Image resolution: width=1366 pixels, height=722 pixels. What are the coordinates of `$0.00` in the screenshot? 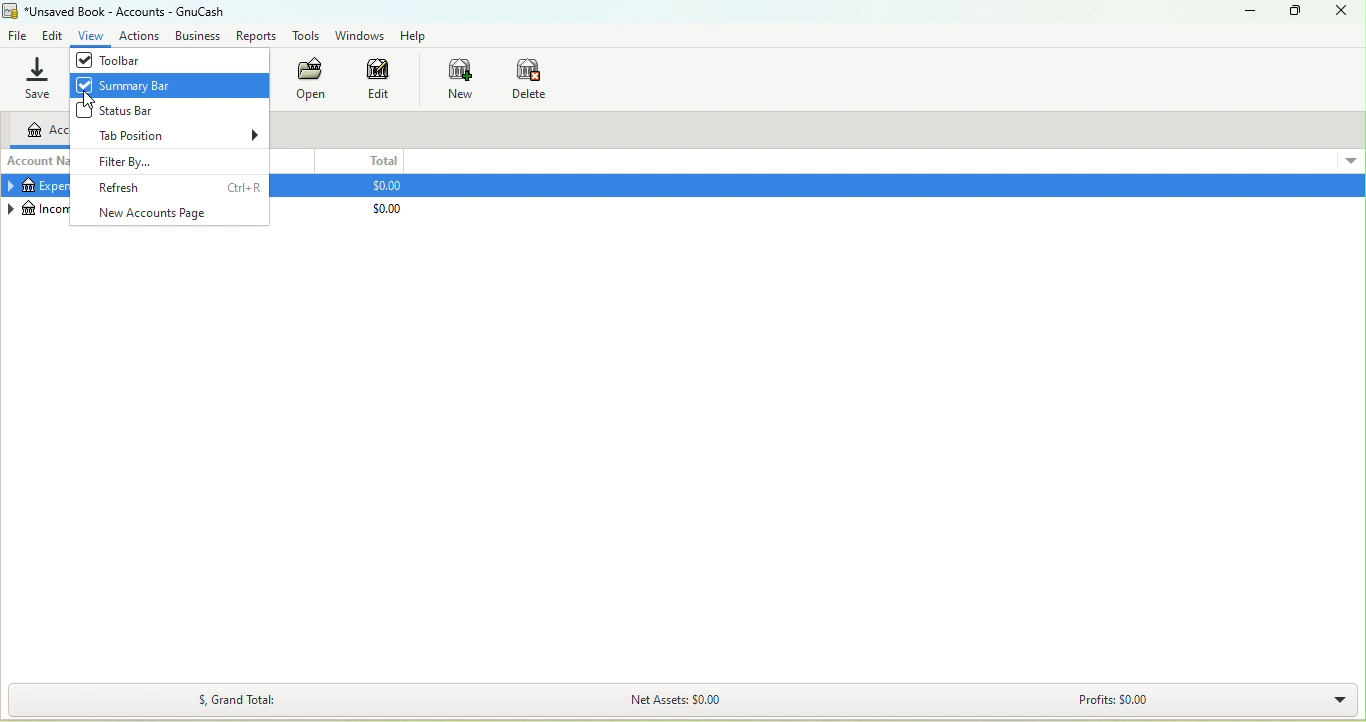 It's located at (388, 186).